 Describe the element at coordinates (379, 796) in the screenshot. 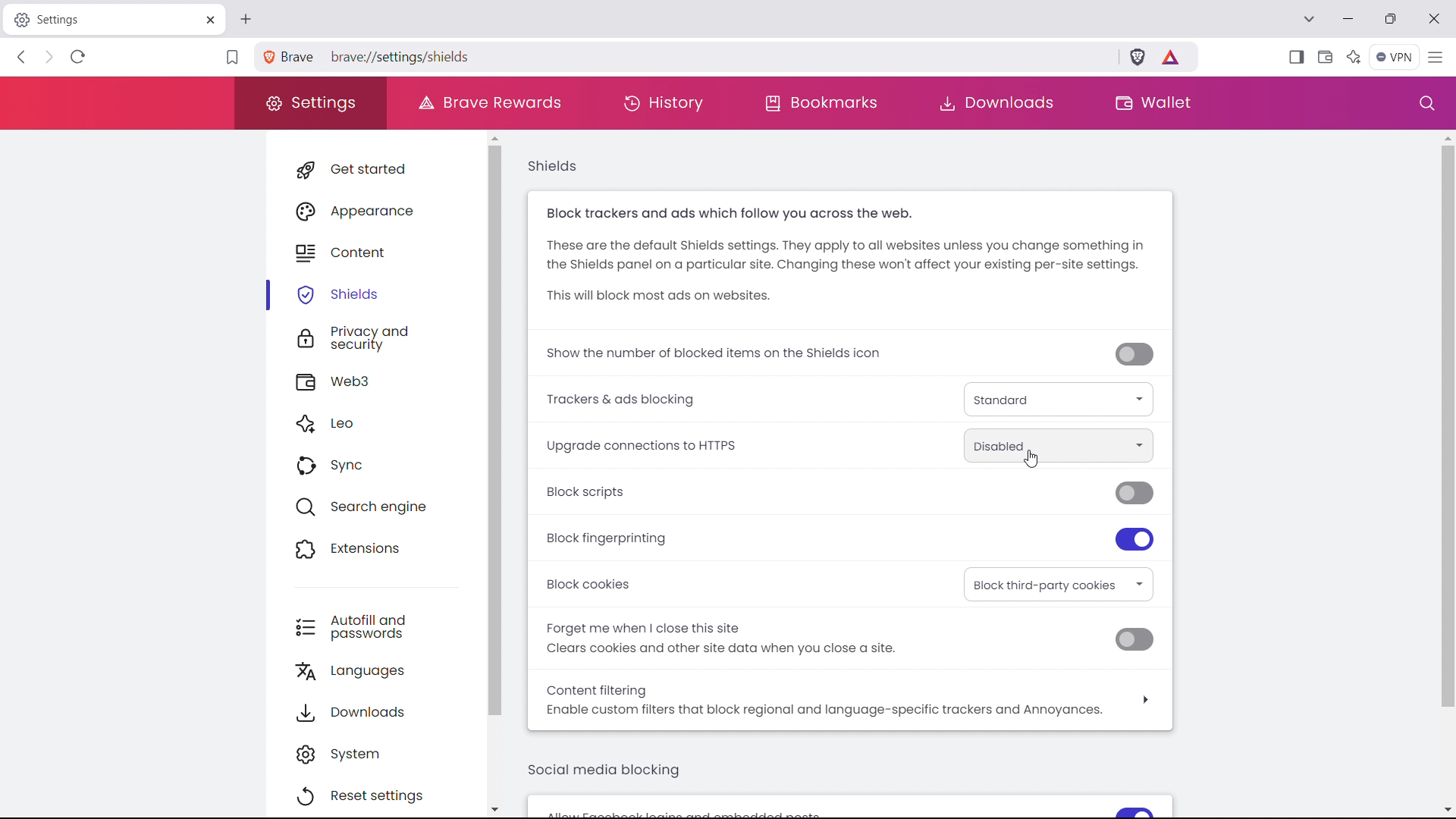

I see `reset settings` at that location.